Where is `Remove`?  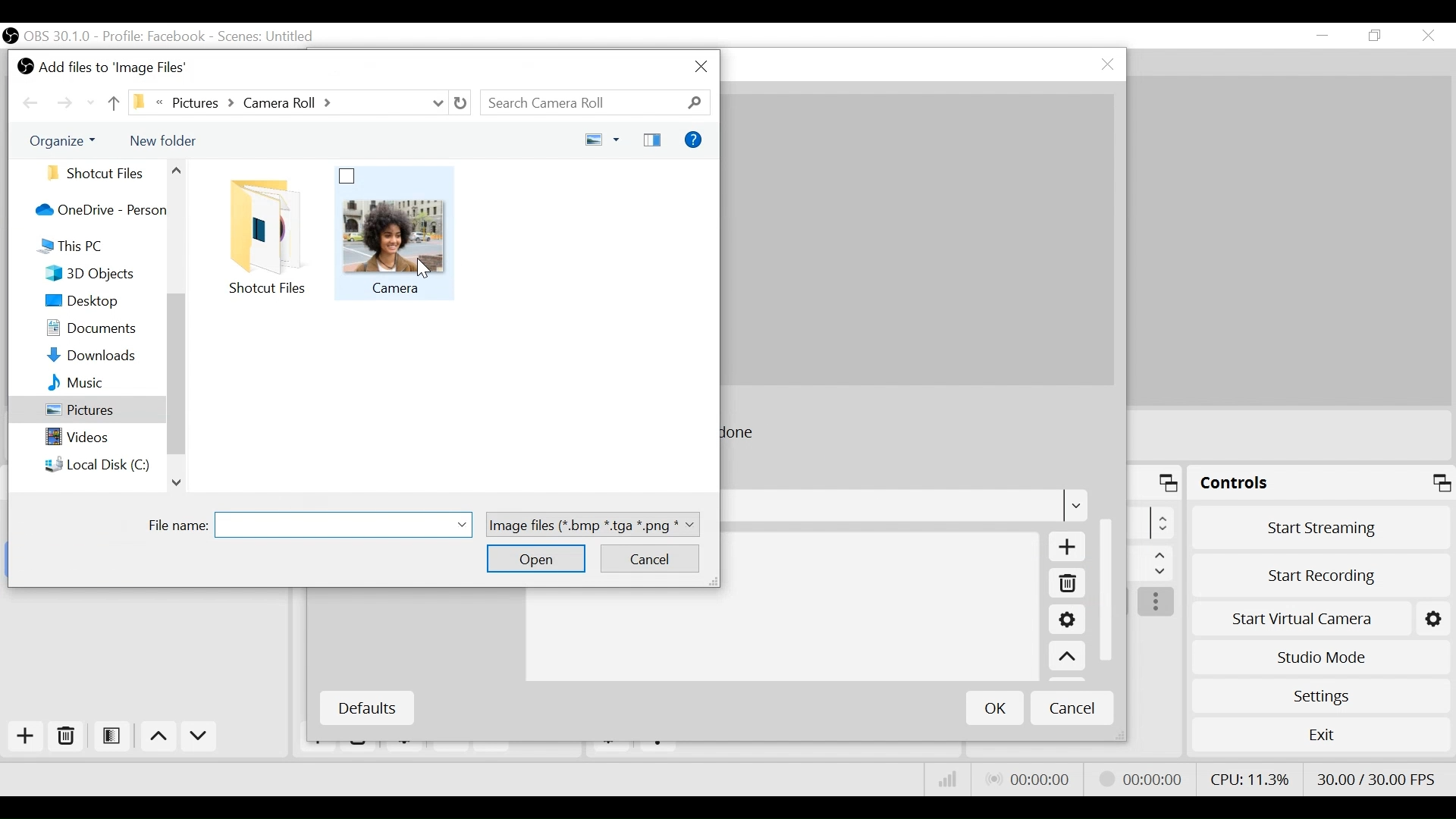 Remove is located at coordinates (67, 737).